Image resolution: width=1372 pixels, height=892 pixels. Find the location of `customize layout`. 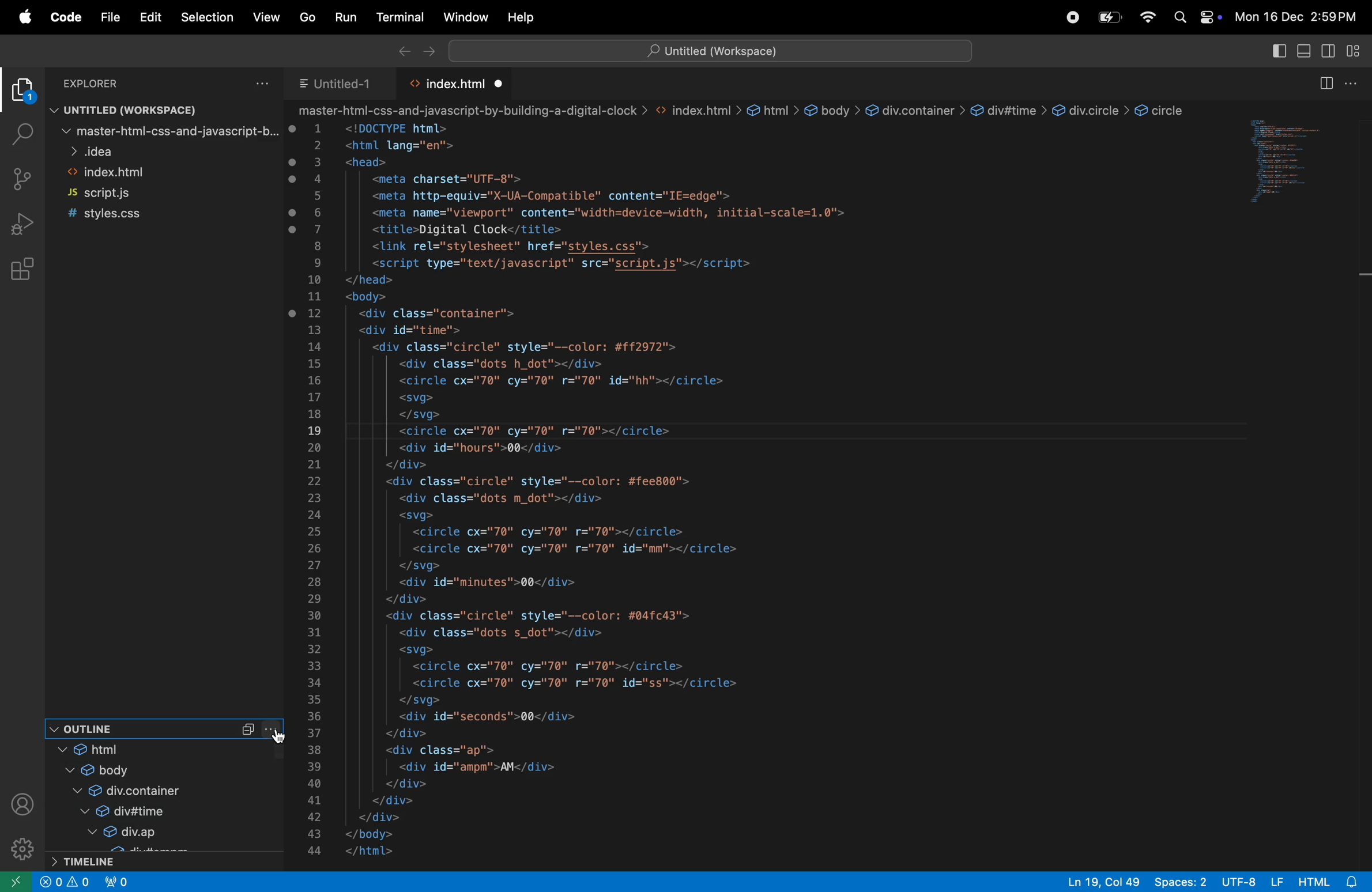

customize layout is located at coordinates (1355, 50).